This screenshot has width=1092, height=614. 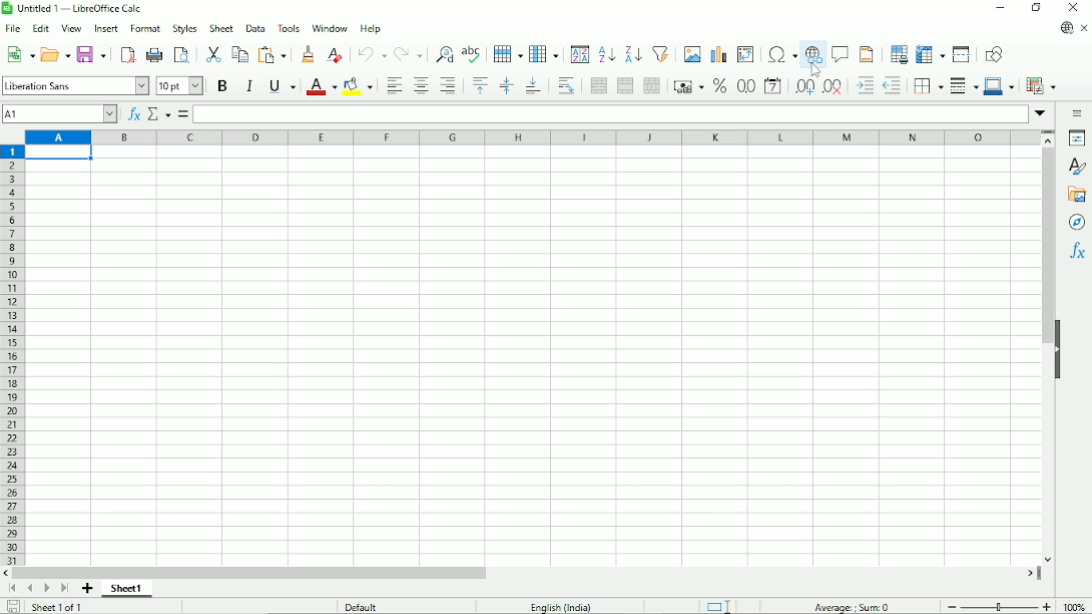 I want to click on Function wizard, so click(x=134, y=115).